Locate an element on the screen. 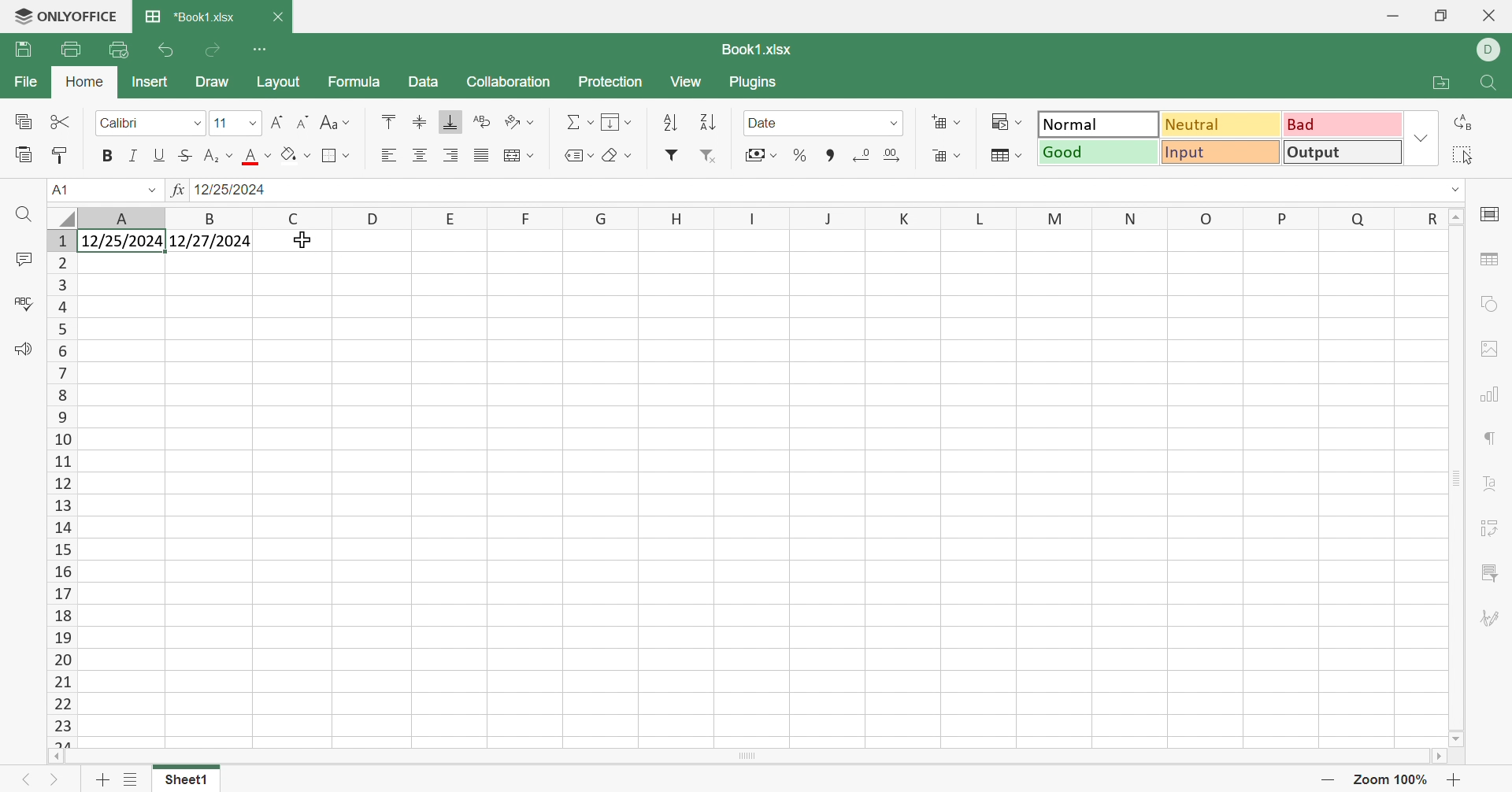 The image size is (1512, 792). Quick Print is located at coordinates (117, 49).